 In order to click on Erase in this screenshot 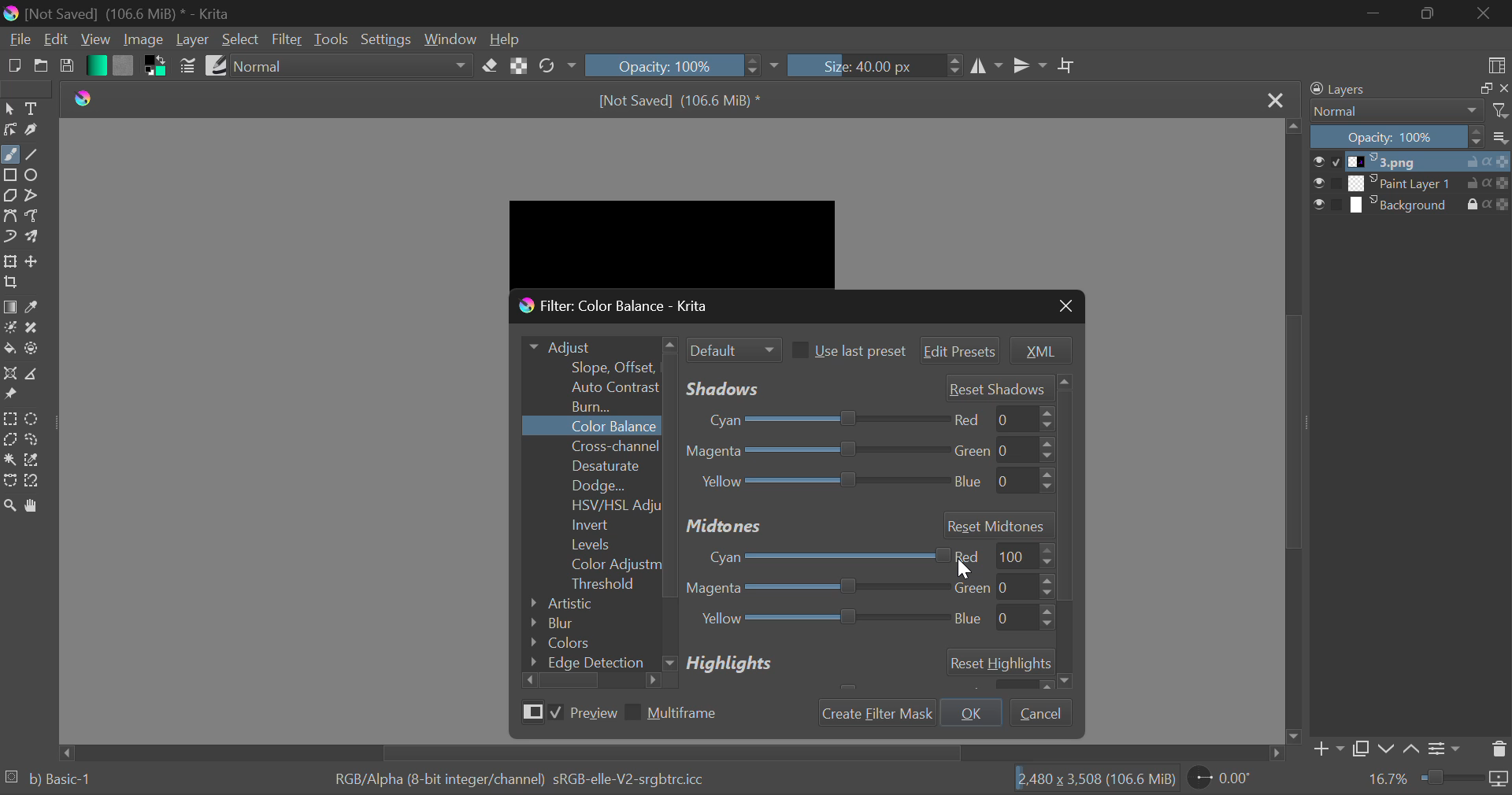, I will do `click(490, 67)`.